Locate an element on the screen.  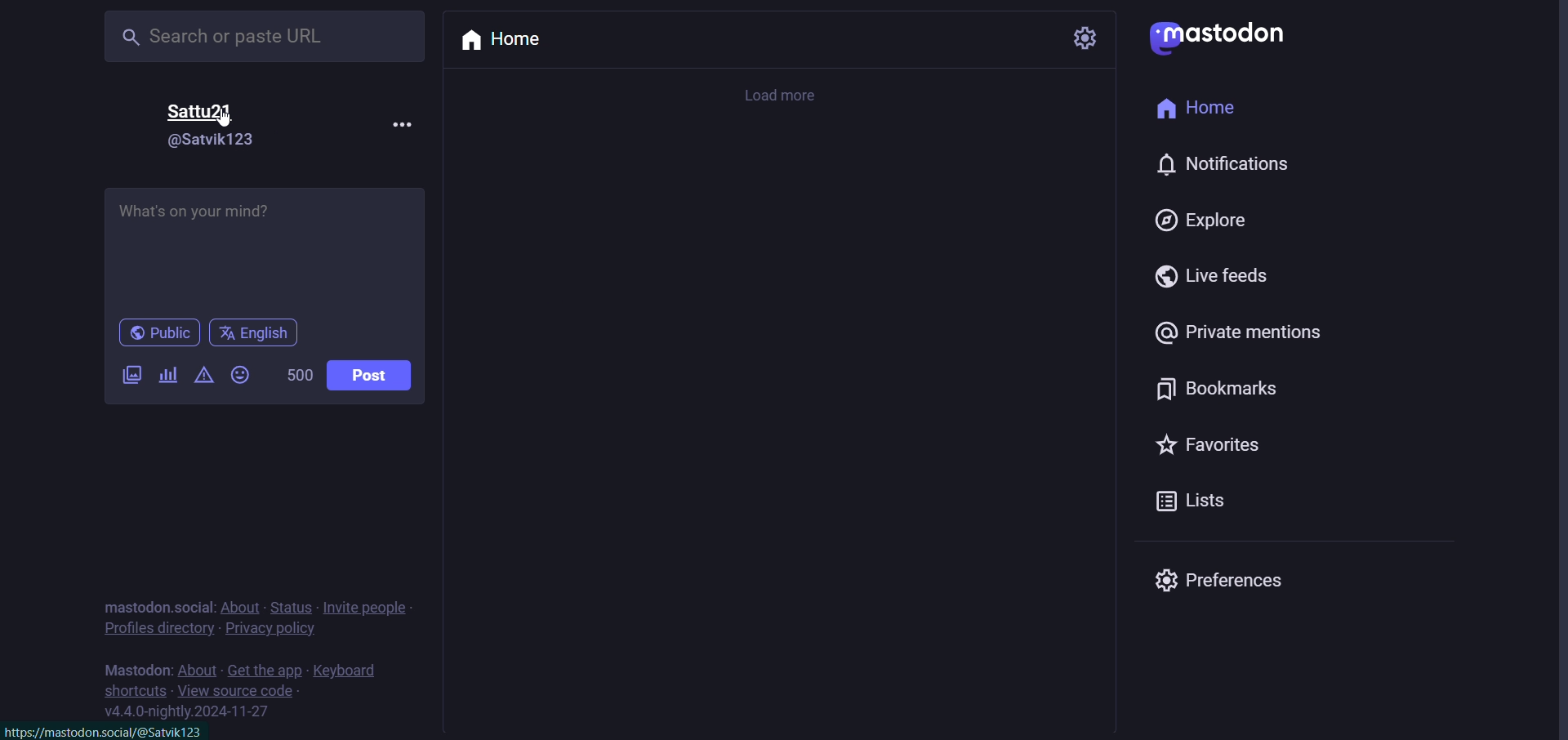
cursor is located at coordinates (226, 119).